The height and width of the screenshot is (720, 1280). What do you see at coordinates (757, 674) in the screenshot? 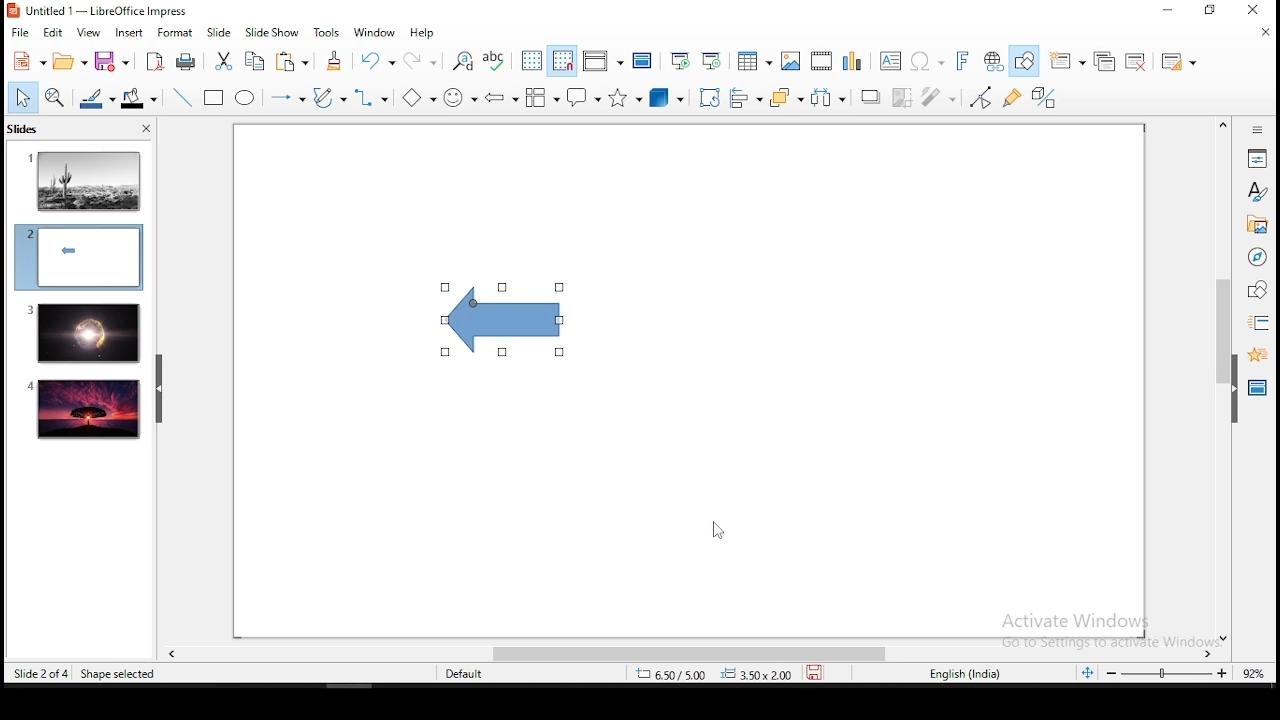
I see `0.00x0.00` at bounding box center [757, 674].